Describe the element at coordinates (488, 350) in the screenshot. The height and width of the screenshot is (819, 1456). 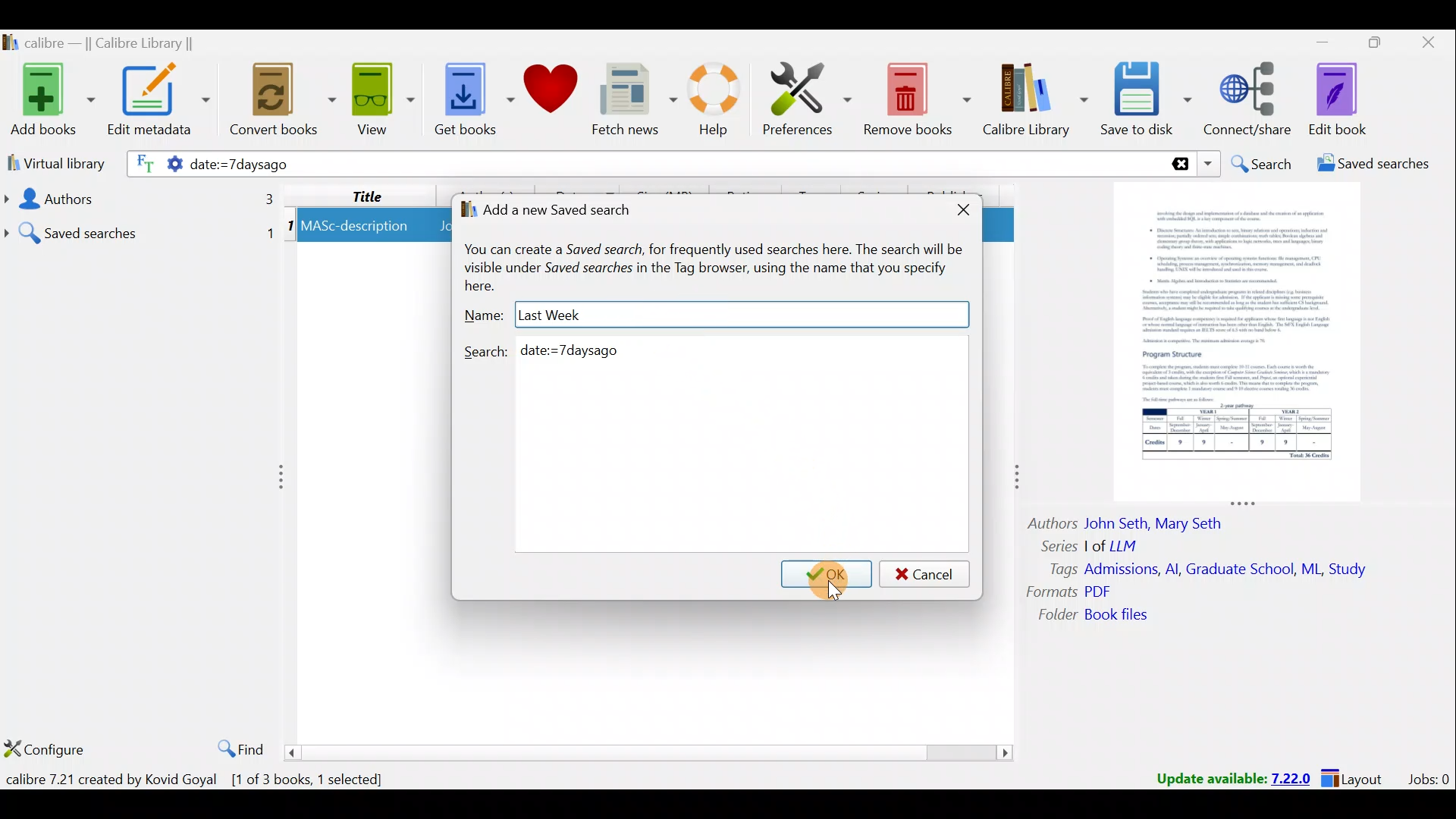
I see `Search` at that location.